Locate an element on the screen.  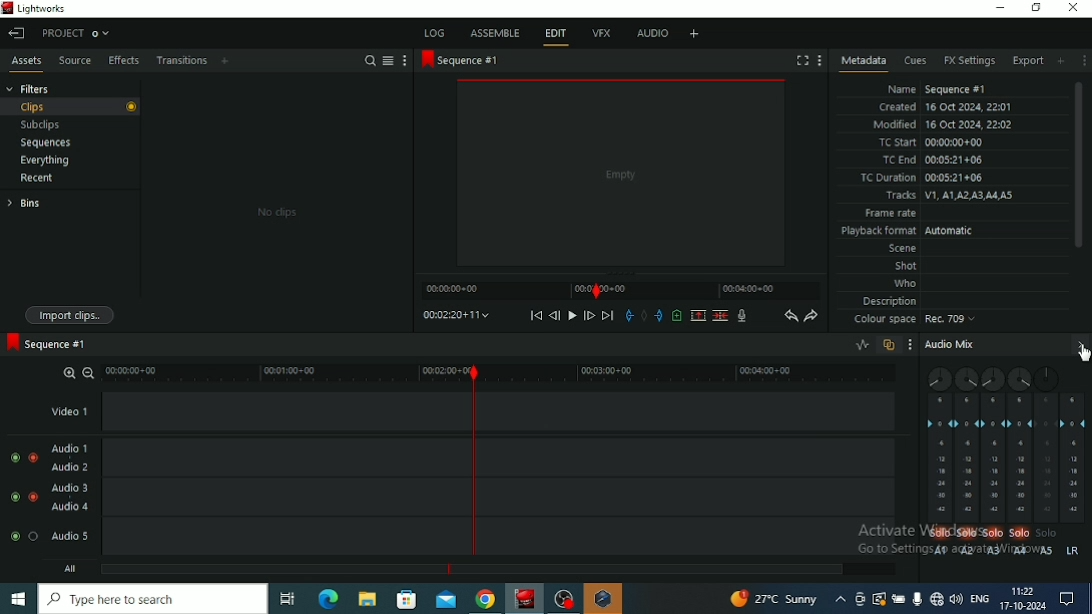
Mute/unmute this track is located at coordinates (14, 458).